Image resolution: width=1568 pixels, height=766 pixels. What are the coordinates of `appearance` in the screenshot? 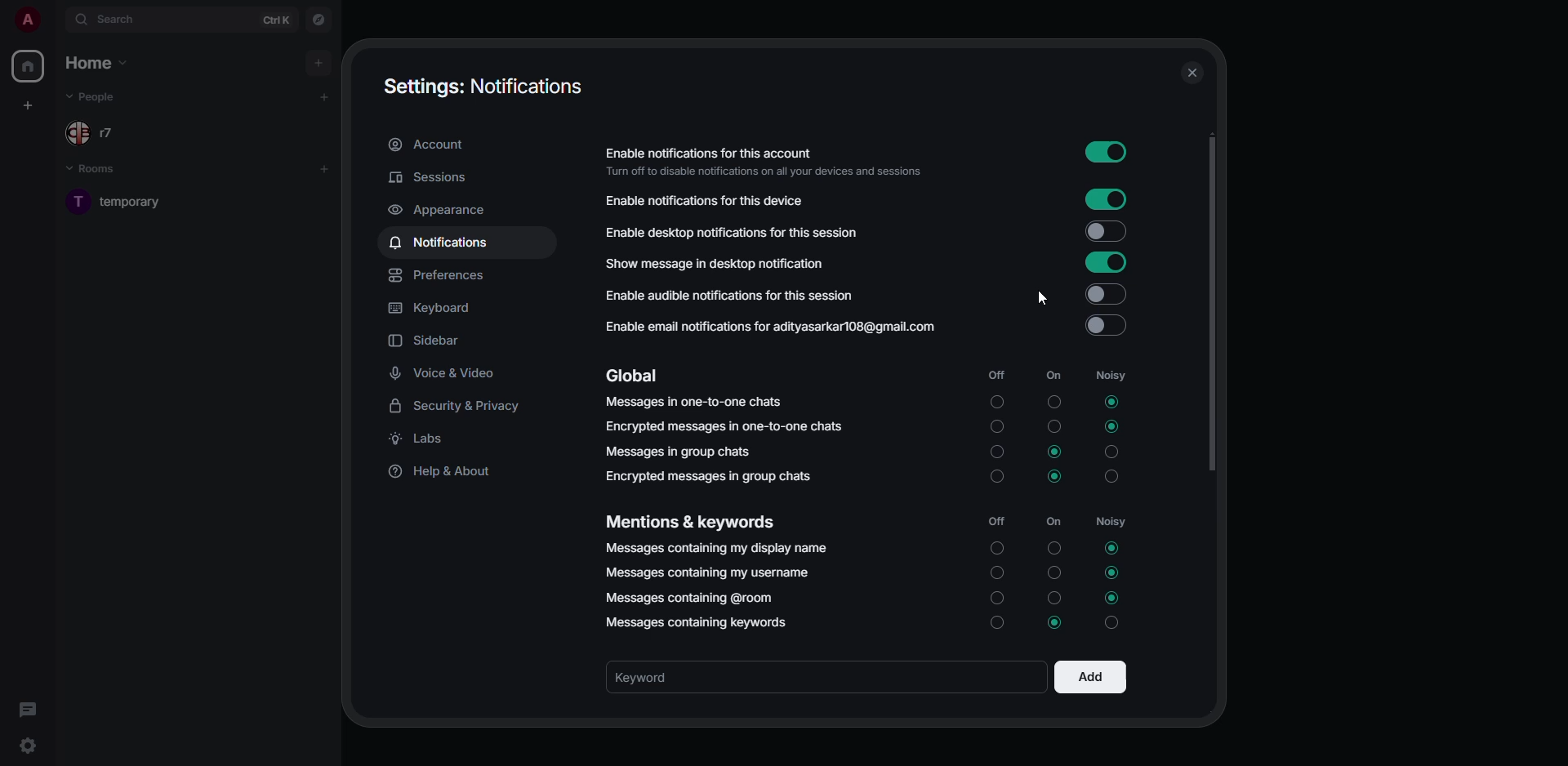 It's located at (439, 212).